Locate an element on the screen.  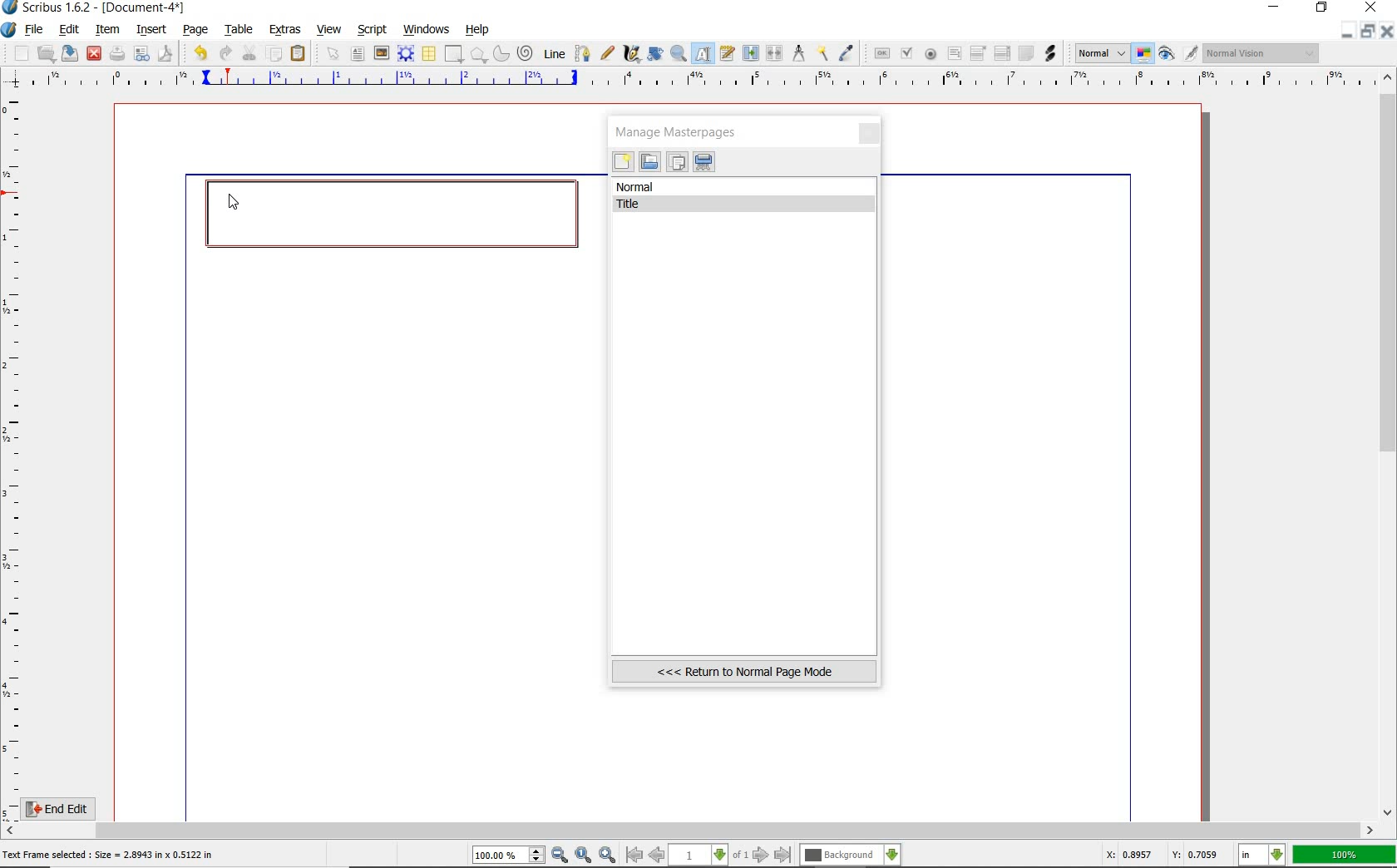
Normal Vision is located at coordinates (1262, 55).